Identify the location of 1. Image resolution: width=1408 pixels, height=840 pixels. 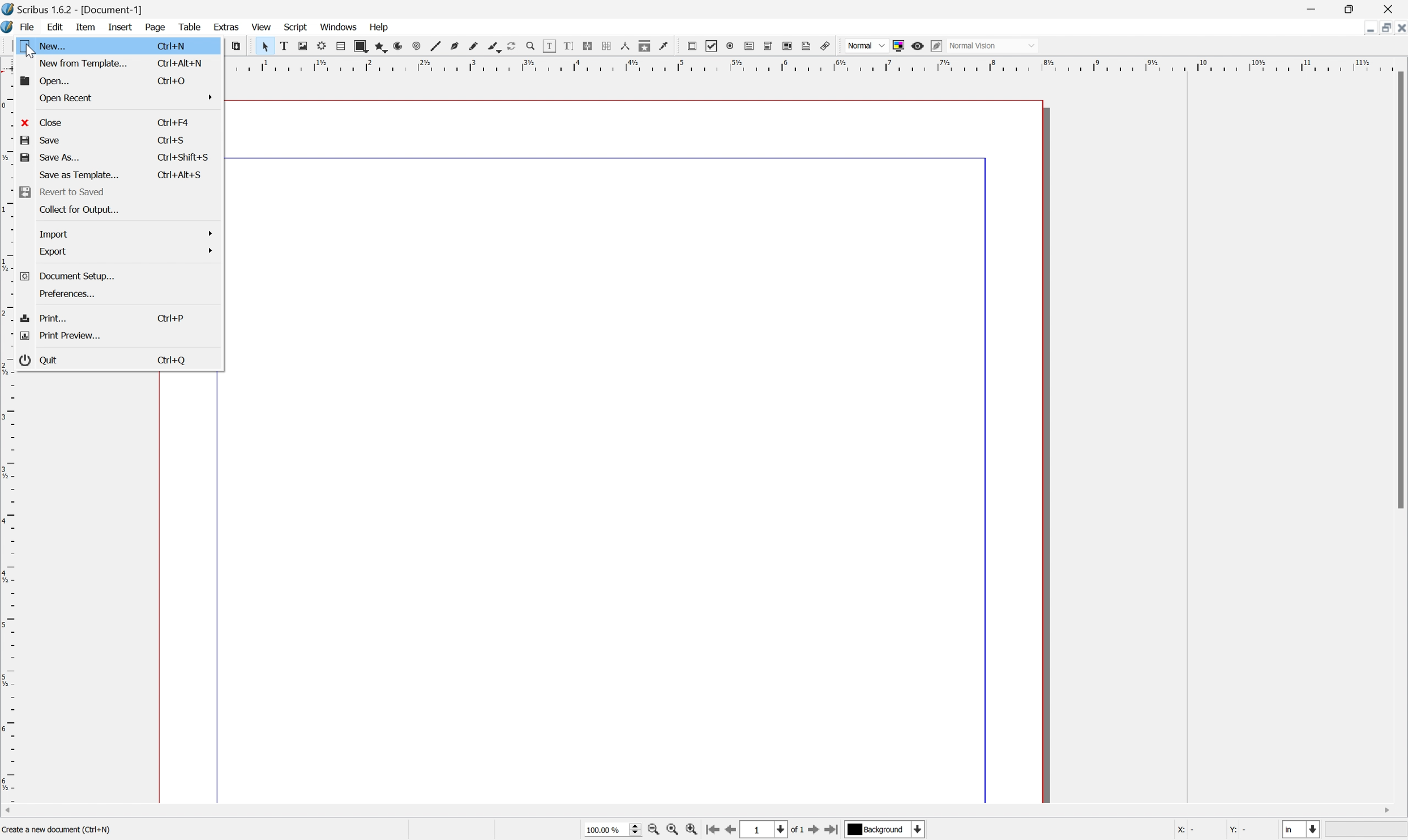
(765, 829).